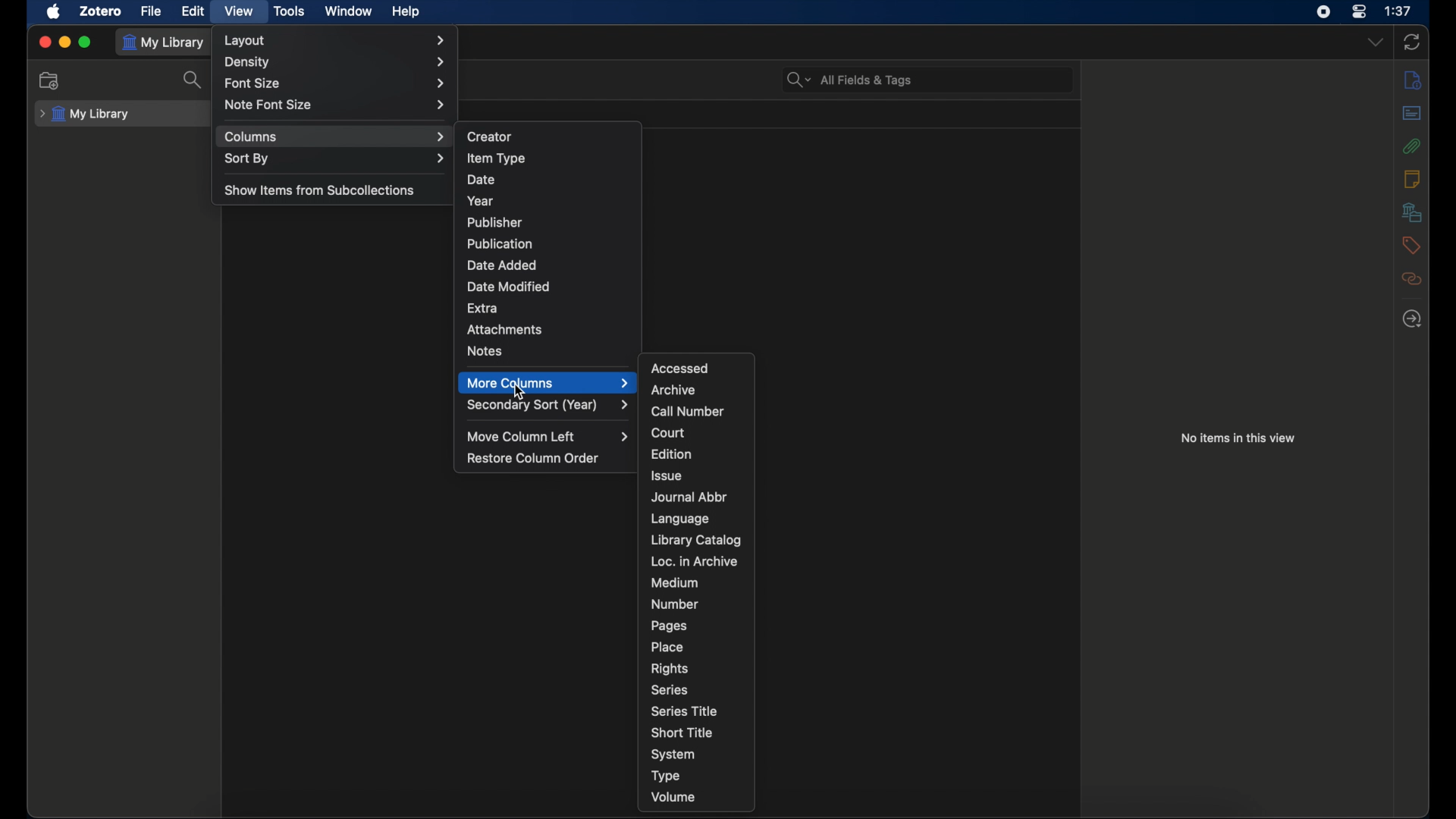 This screenshot has height=819, width=1456. What do you see at coordinates (668, 432) in the screenshot?
I see `court` at bounding box center [668, 432].